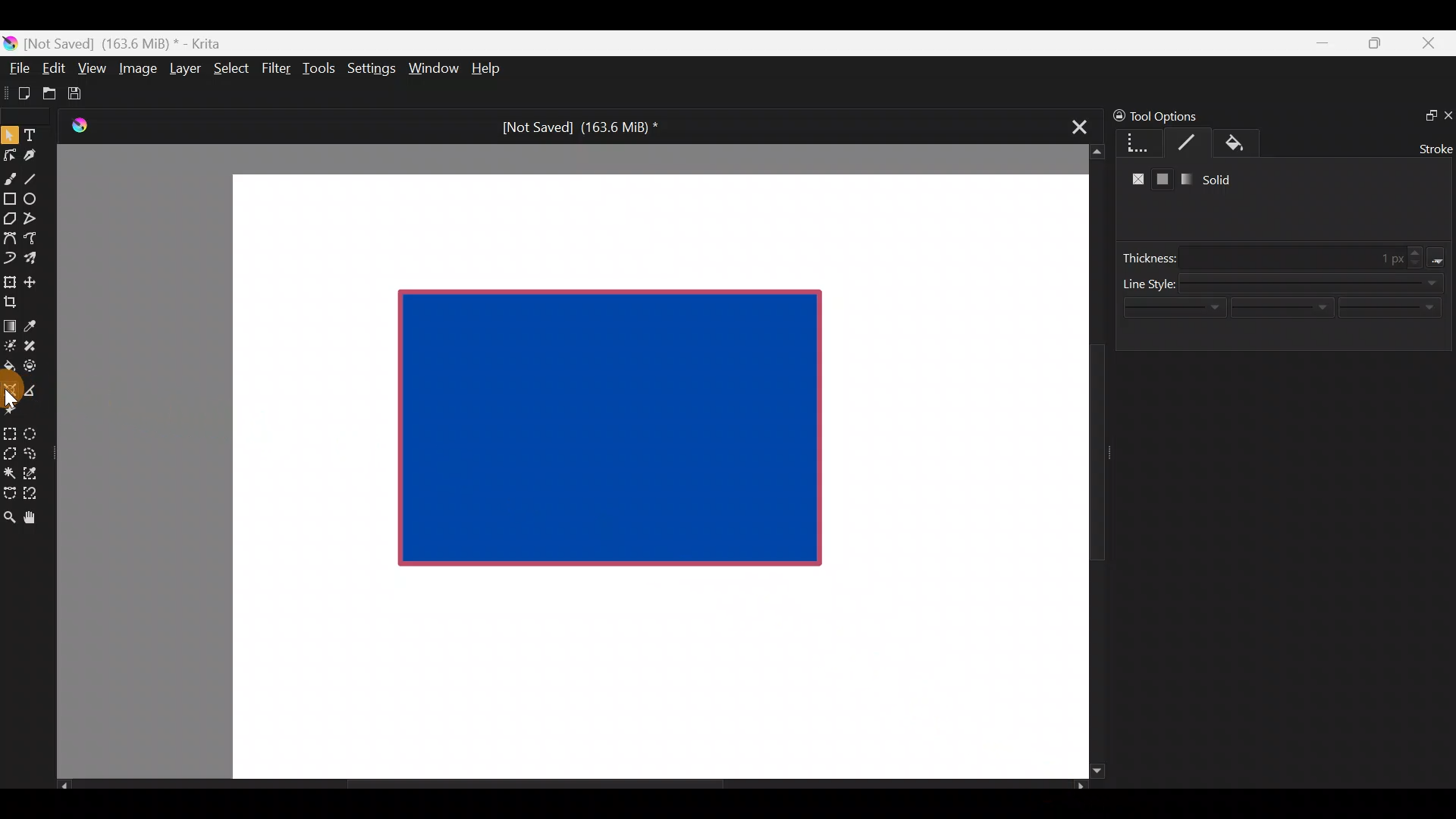  Describe the element at coordinates (9, 385) in the screenshot. I see `Assistant tool` at that location.